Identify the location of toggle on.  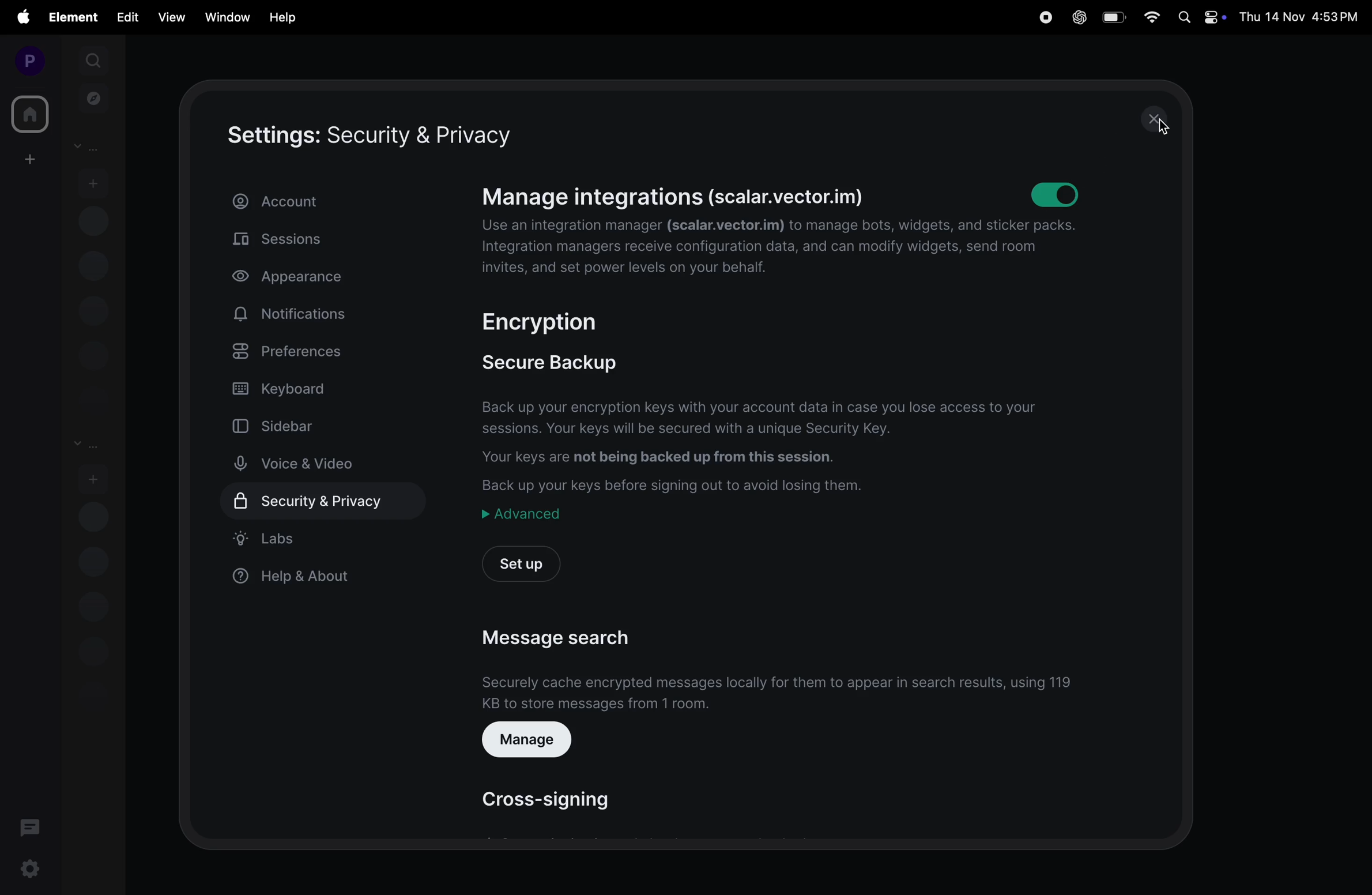
(1058, 195).